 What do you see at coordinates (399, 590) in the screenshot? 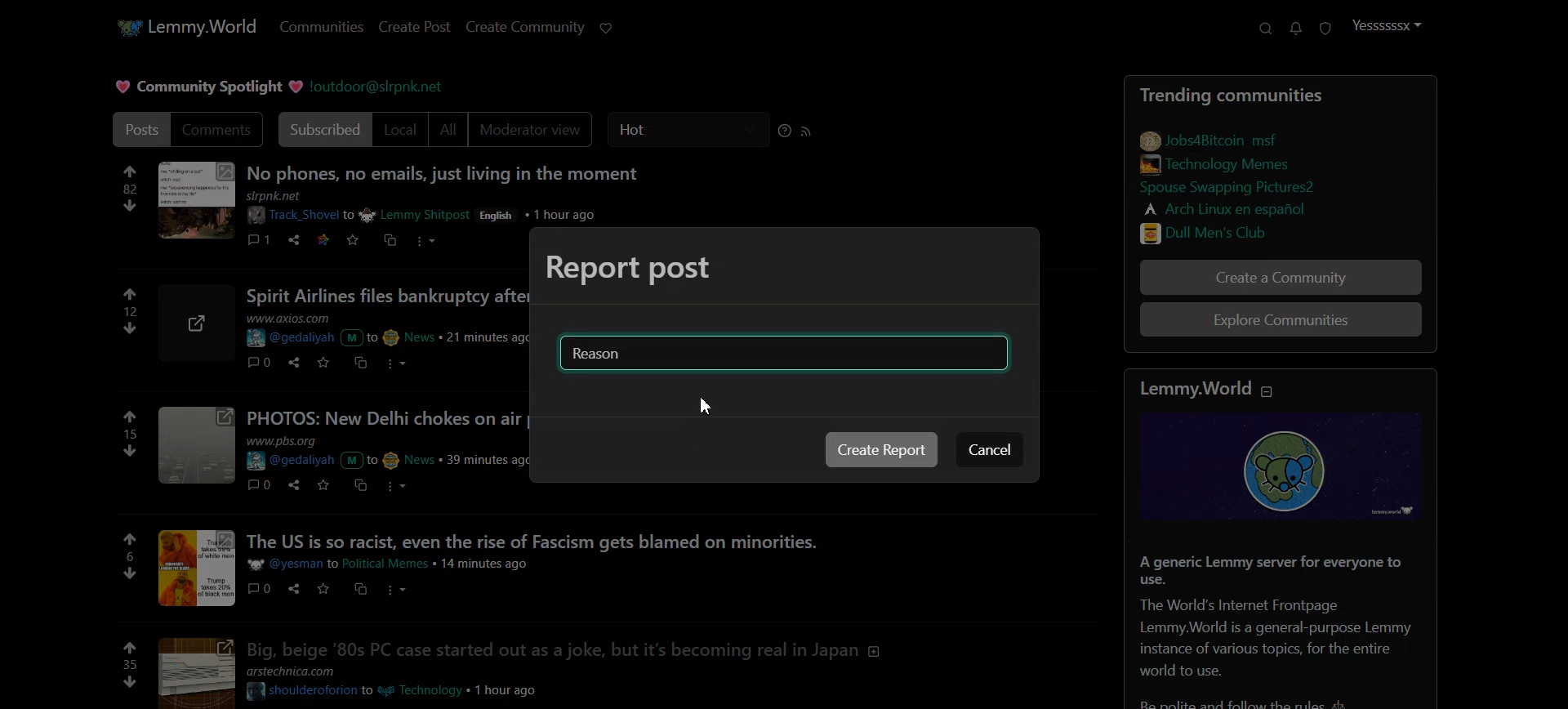
I see `more` at bounding box center [399, 590].